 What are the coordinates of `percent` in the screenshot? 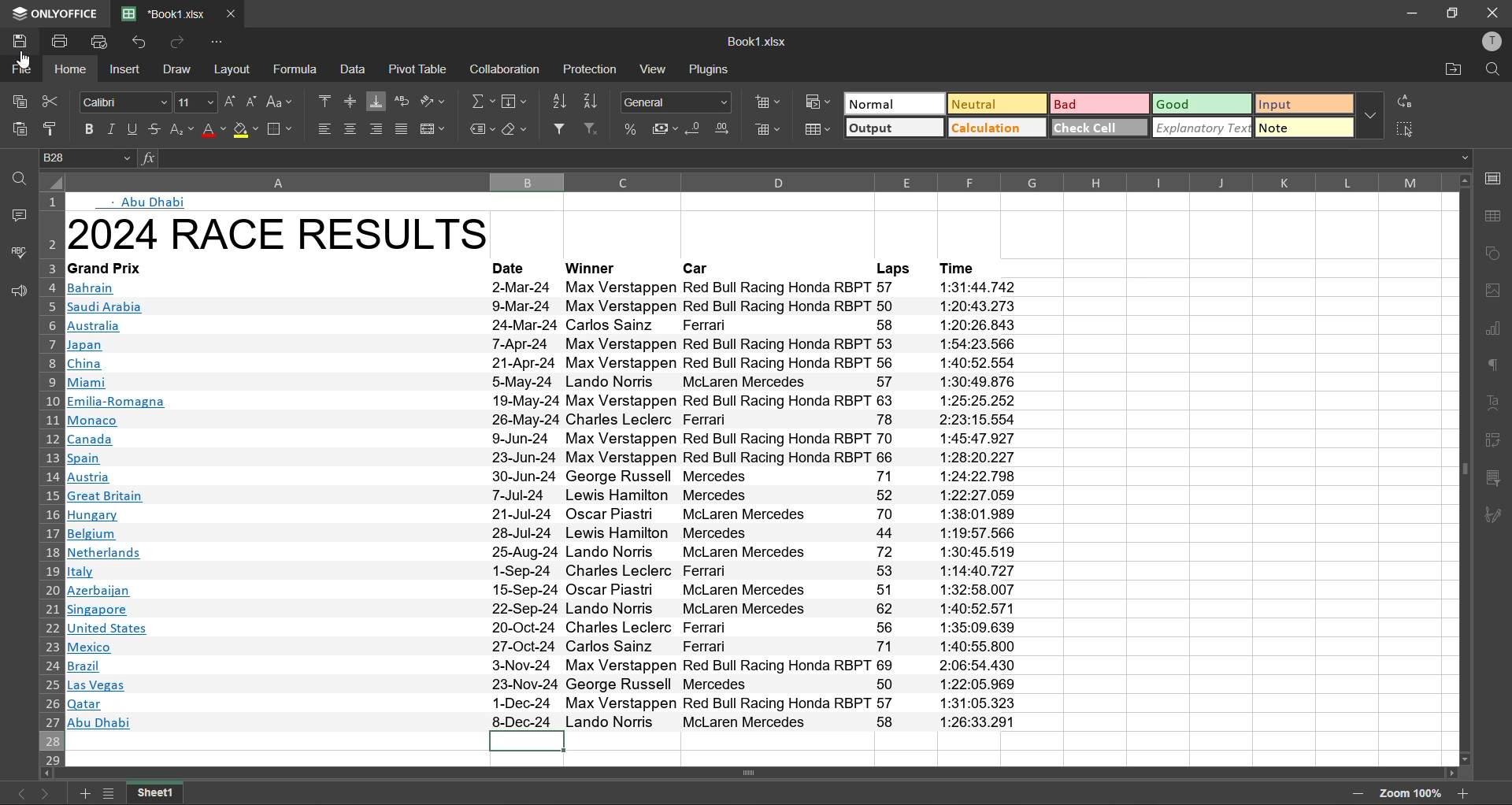 It's located at (632, 128).